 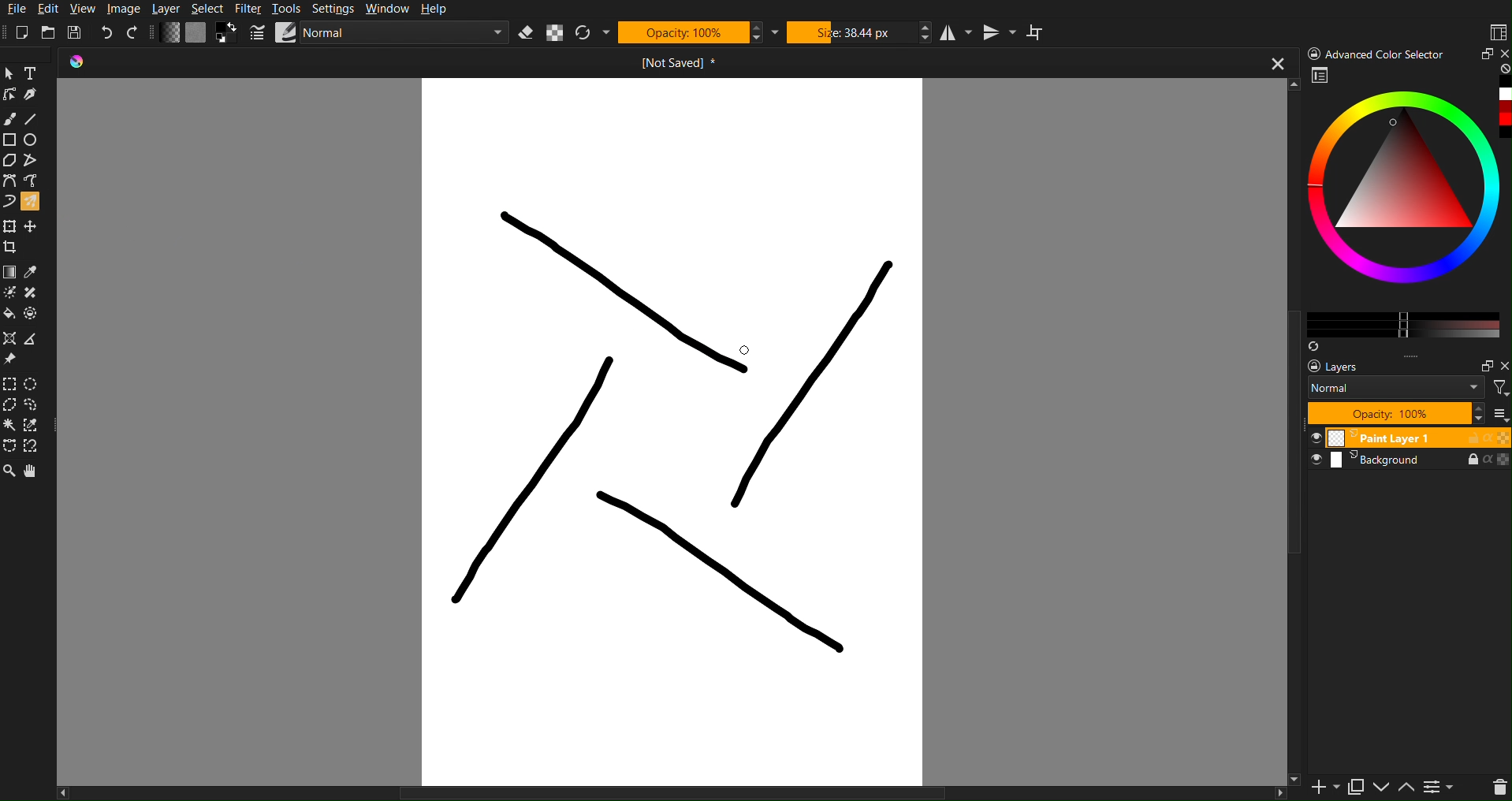 What do you see at coordinates (1497, 31) in the screenshot?
I see `Workspaces` at bounding box center [1497, 31].